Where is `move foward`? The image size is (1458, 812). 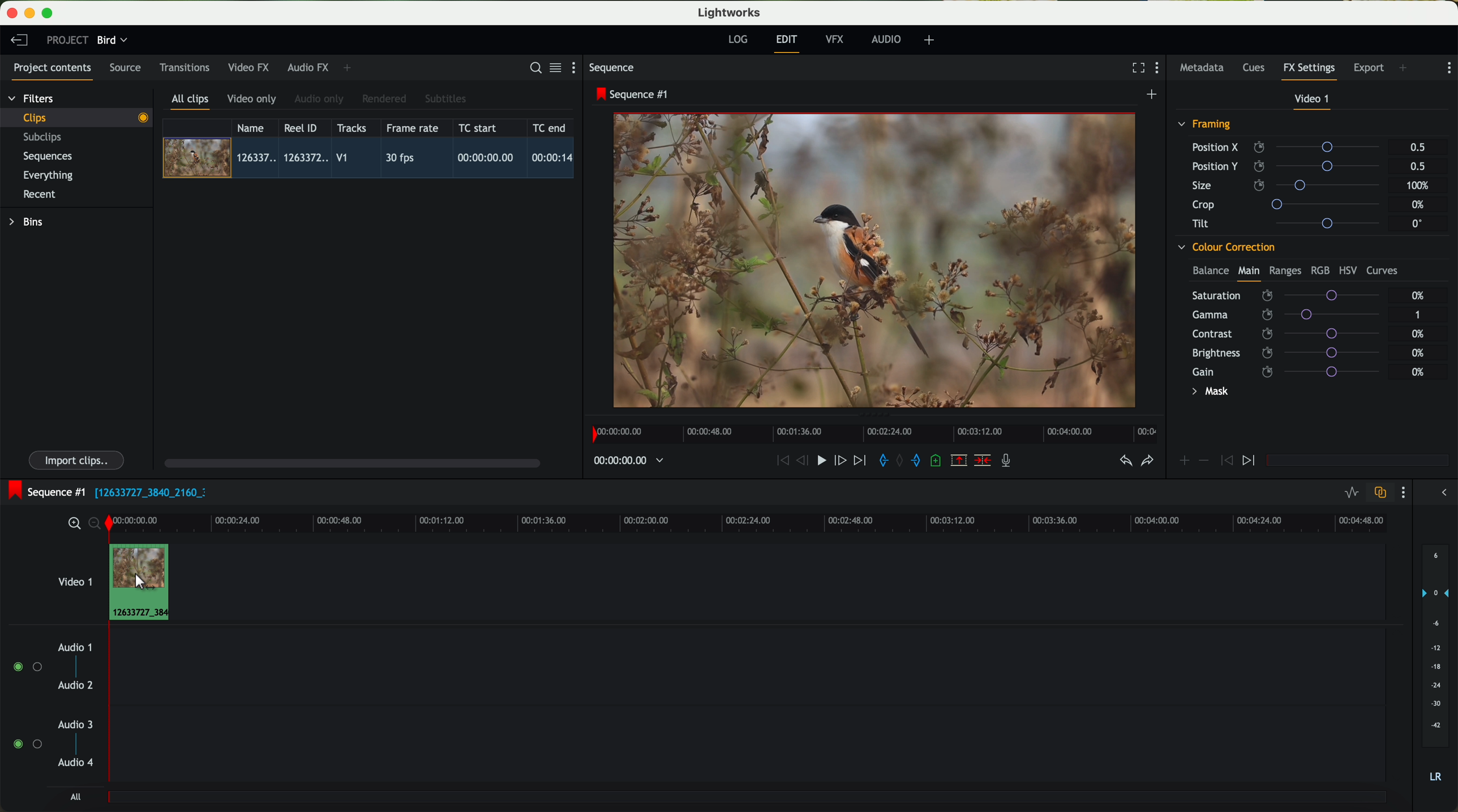
move foward is located at coordinates (859, 461).